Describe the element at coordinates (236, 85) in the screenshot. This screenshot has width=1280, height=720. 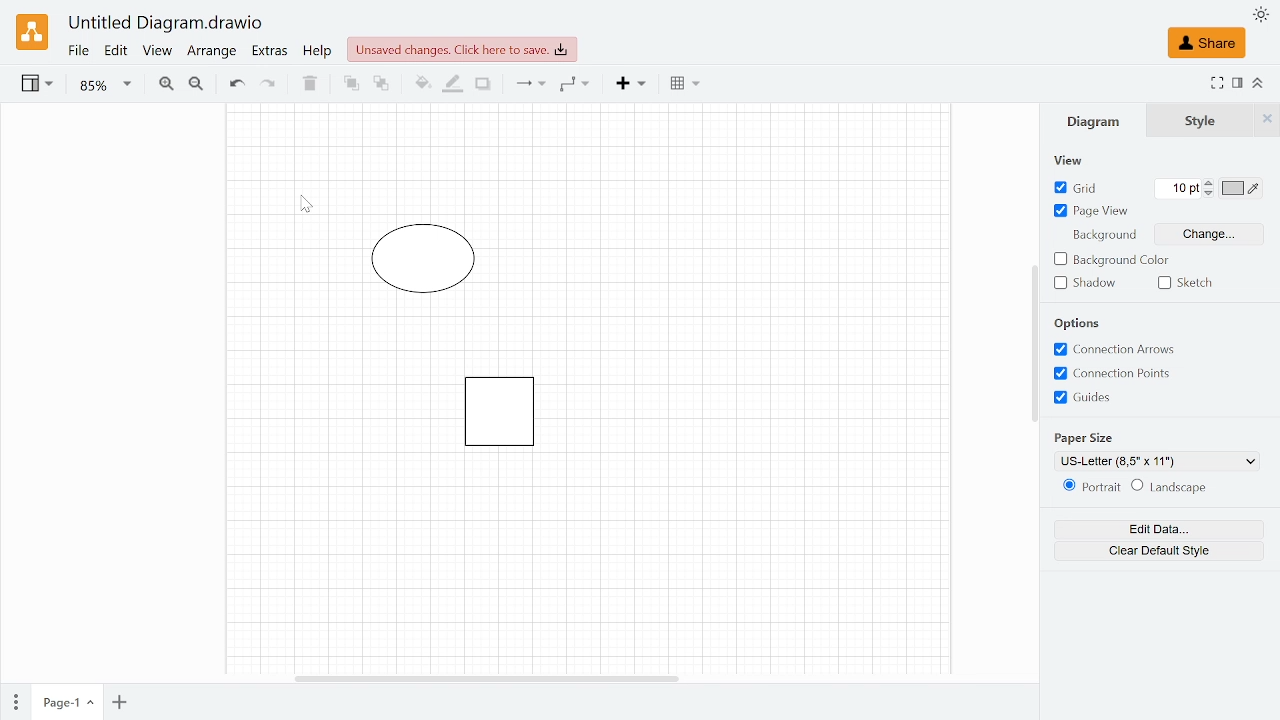
I see `Undo` at that location.